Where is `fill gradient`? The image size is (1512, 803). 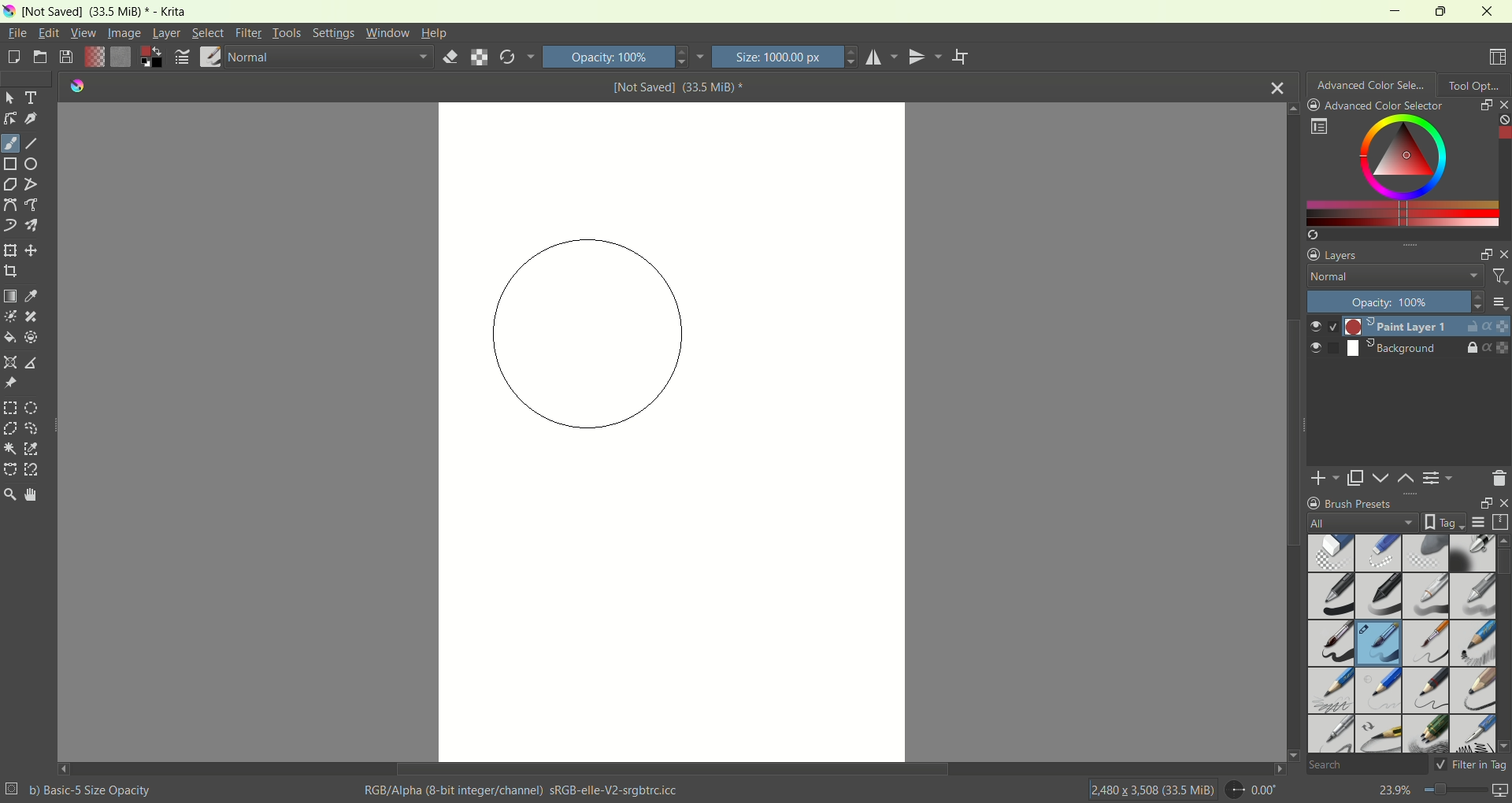 fill gradient is located at coordinates (94, 58).